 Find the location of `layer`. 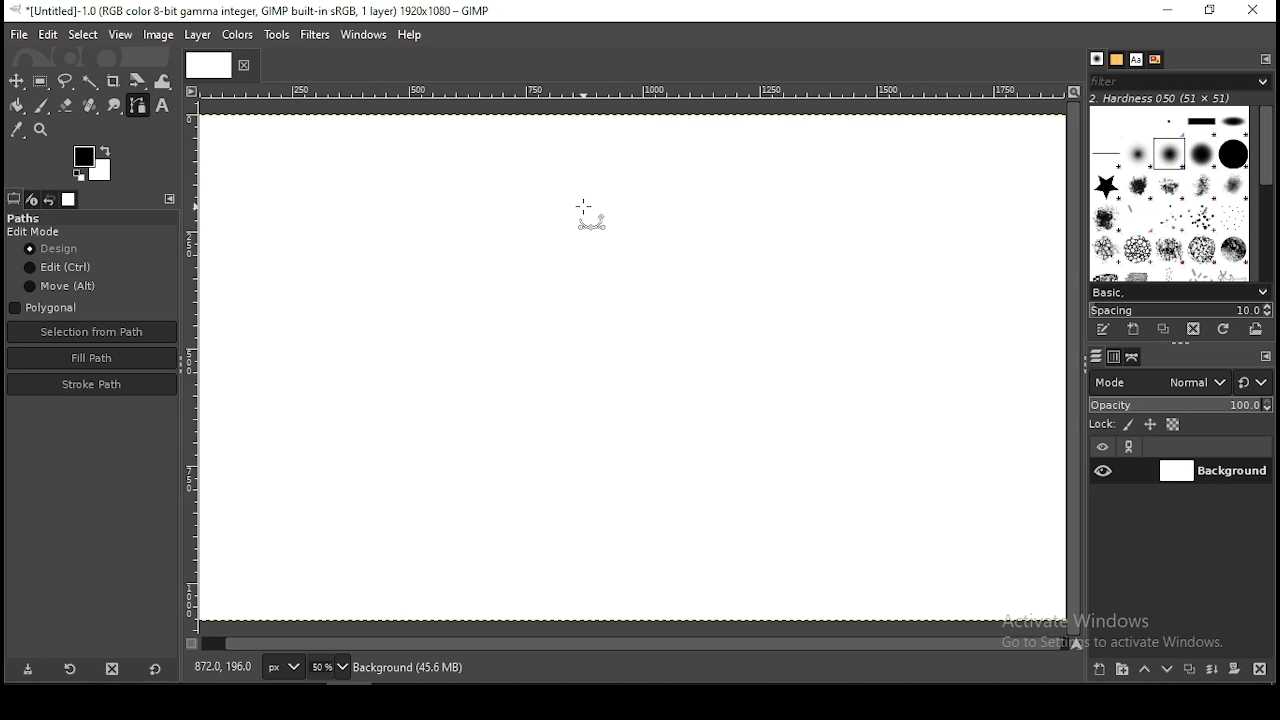

layer is located at coordinates (202, 36).